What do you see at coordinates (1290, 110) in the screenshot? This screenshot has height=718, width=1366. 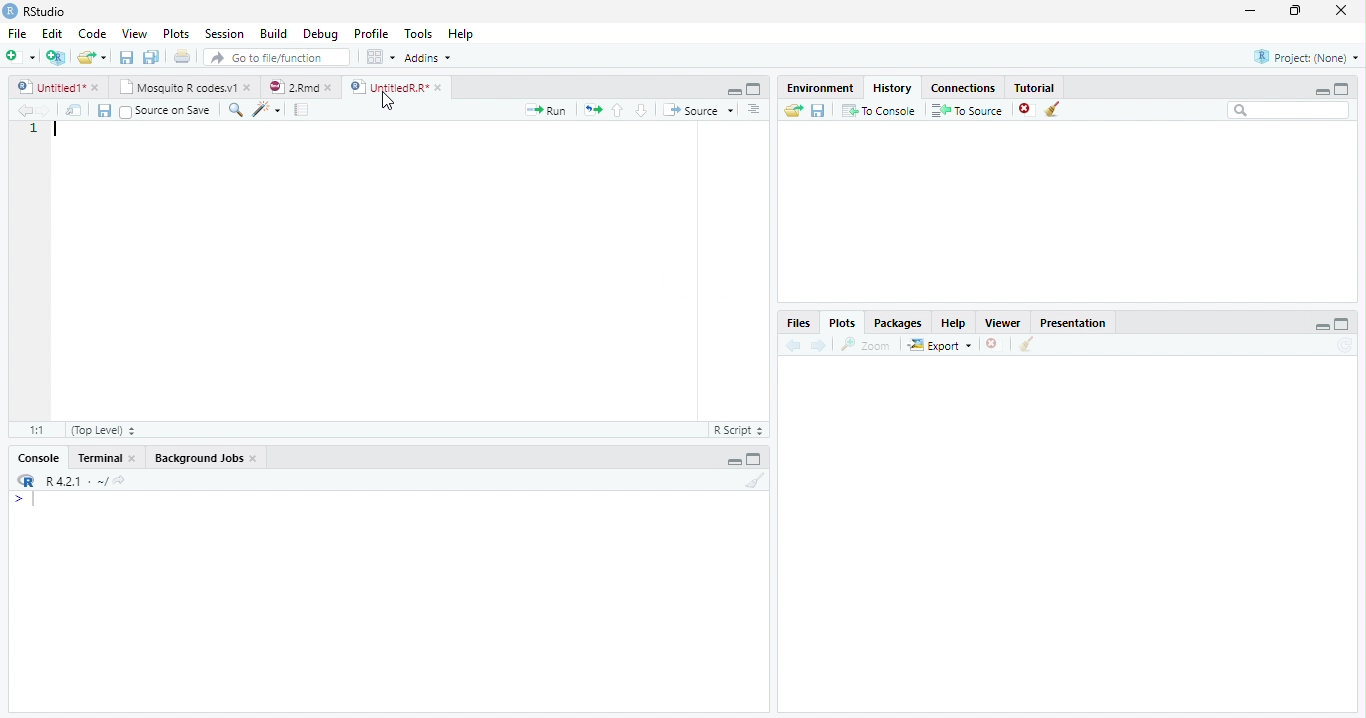 I see `Search bar` at bounding box center [1290, 110].